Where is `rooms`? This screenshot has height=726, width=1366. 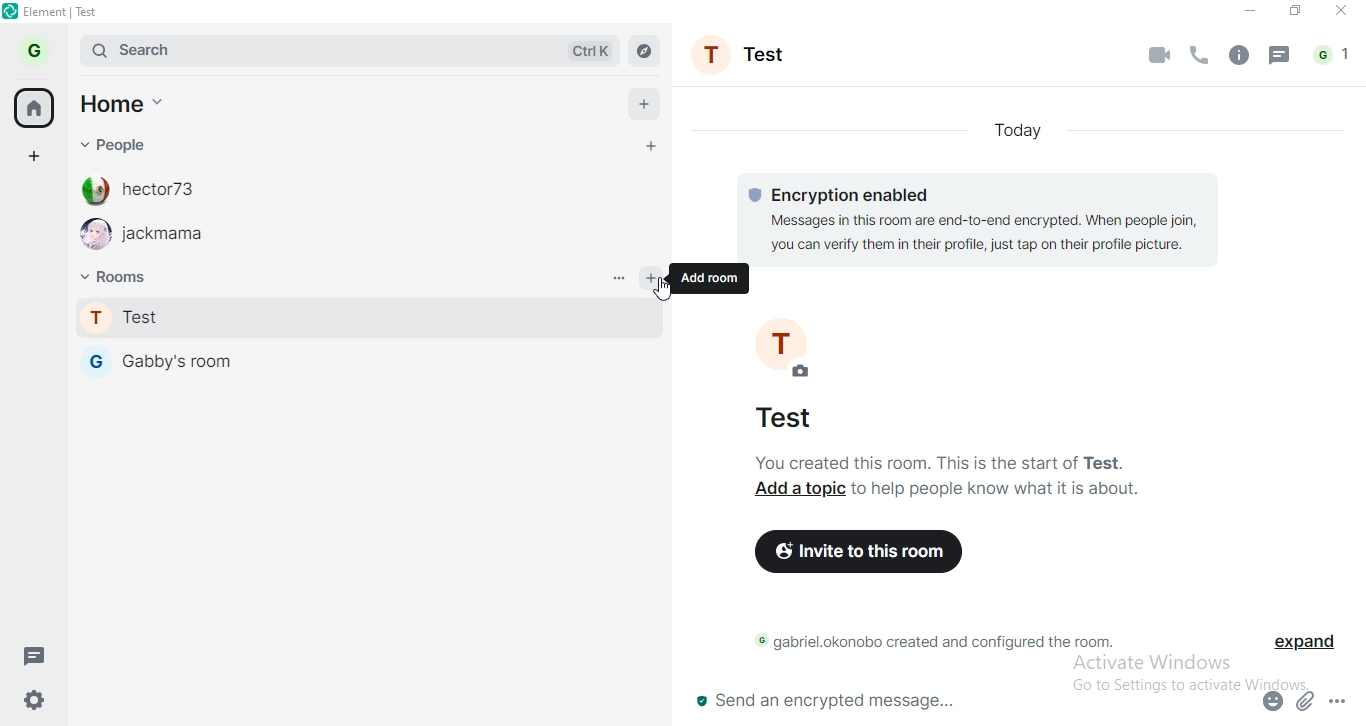 rooms is located at coordinates (133, 275).